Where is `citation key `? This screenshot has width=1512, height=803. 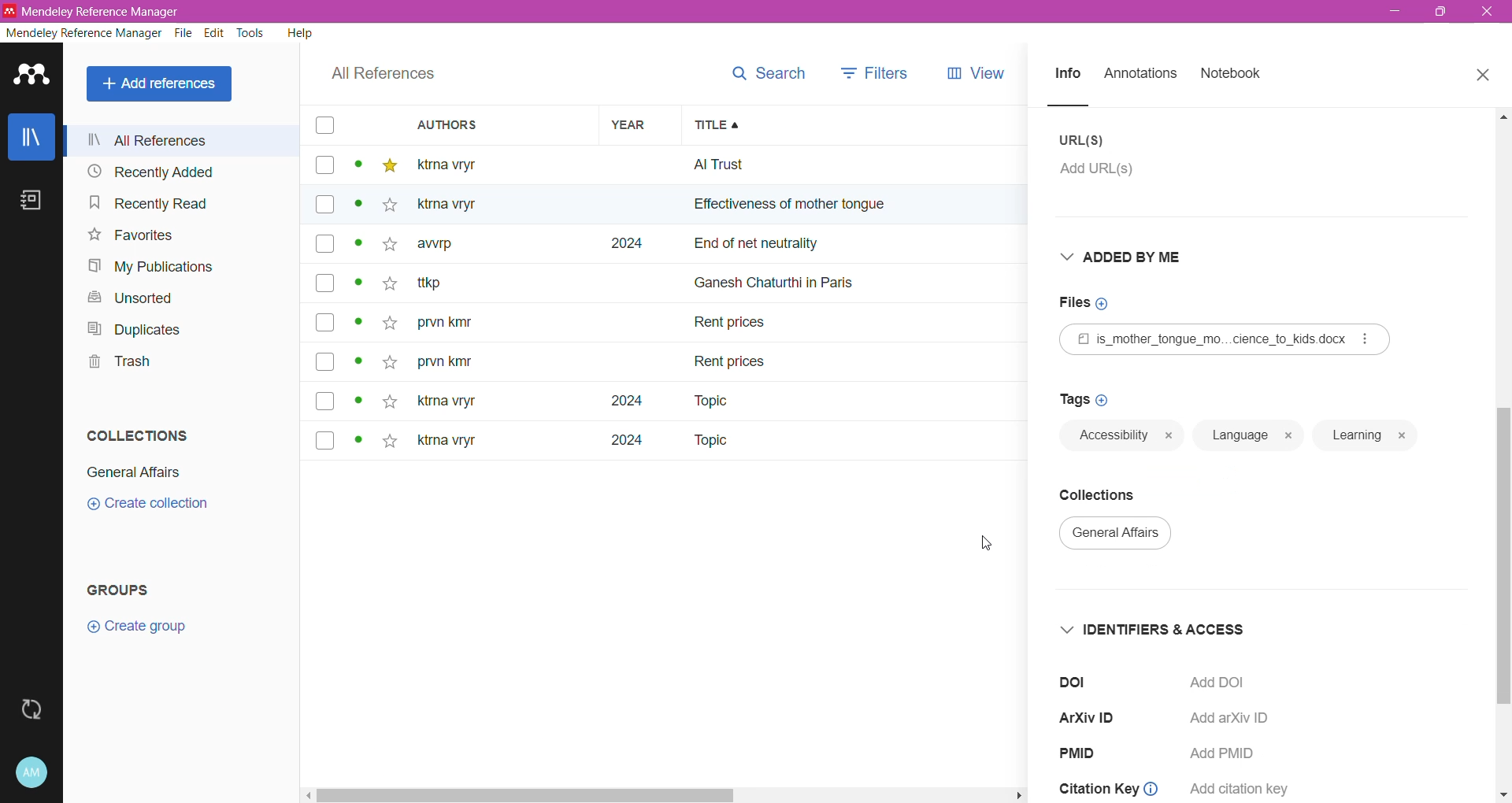
citation key  is located at coordinates (1107, 789).